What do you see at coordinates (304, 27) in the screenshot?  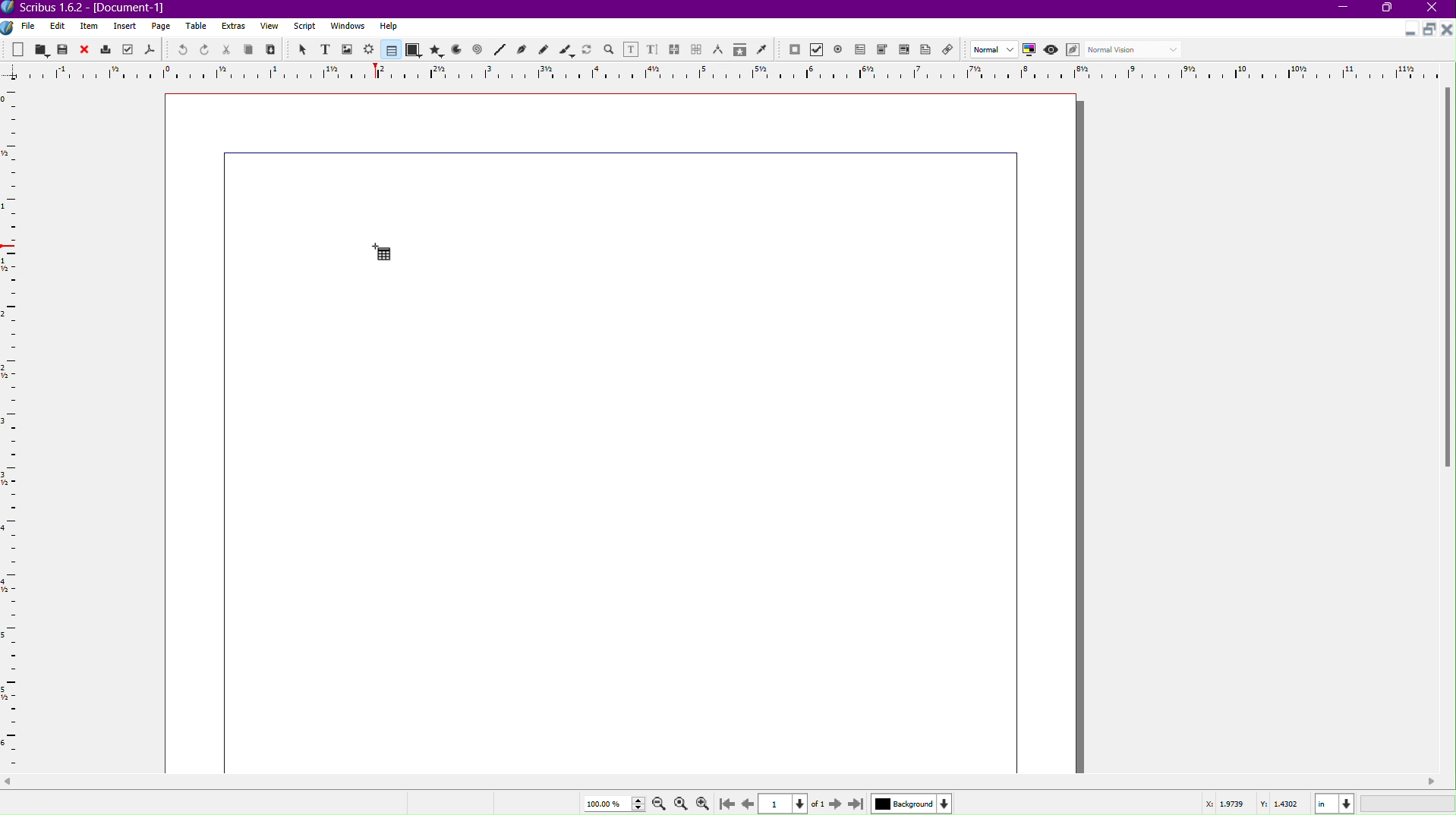 I see `Script` at bounding box center [304, 27].